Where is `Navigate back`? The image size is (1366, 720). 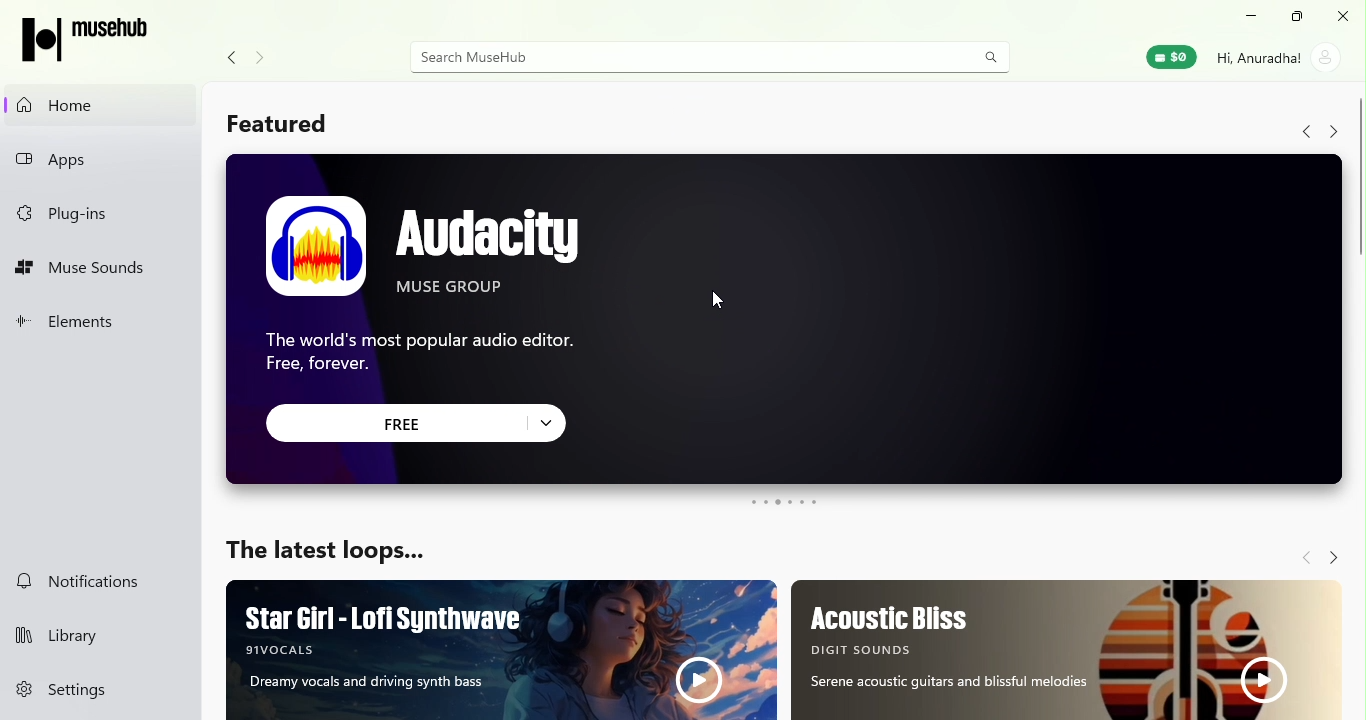 Navigate back is located at coordinates (1304, 557).